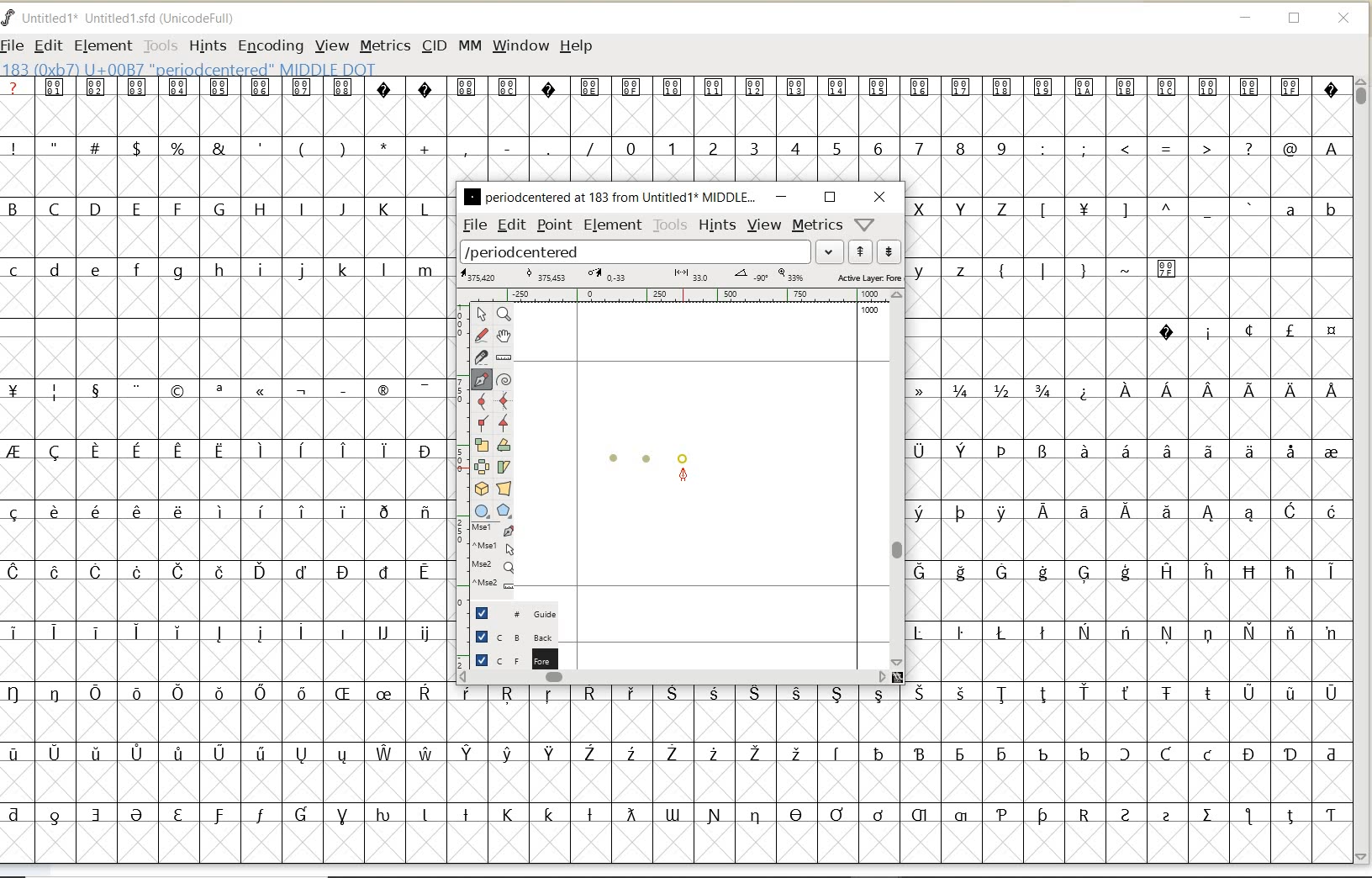 This screenshot has width=1372, height=878. What do you see at coordinates (482, 510) in the screenshot?
I see `rectangle or ellipse` at bounding box center [482, 510].